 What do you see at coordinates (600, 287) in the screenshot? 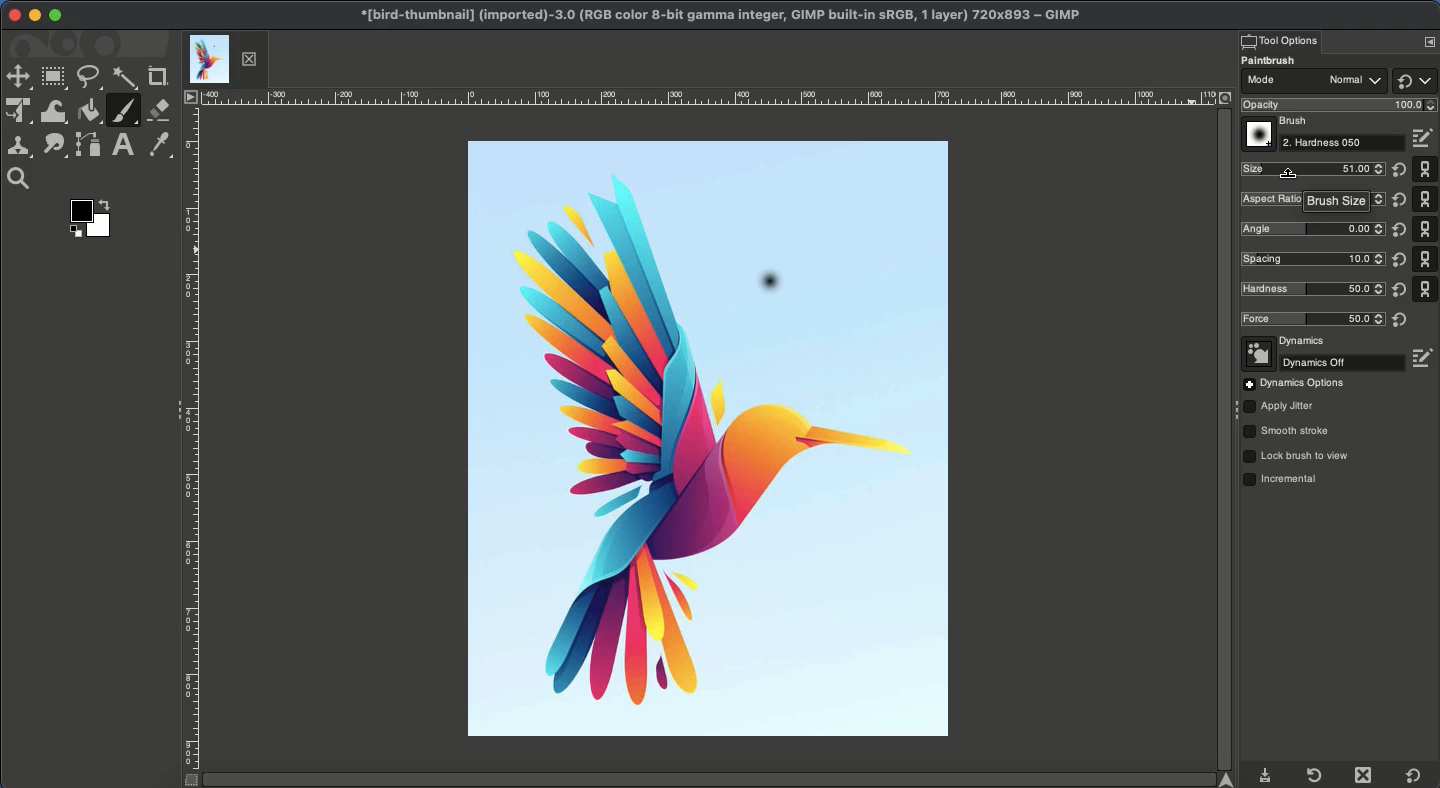
I see `image` at bounding box center [600, 287].